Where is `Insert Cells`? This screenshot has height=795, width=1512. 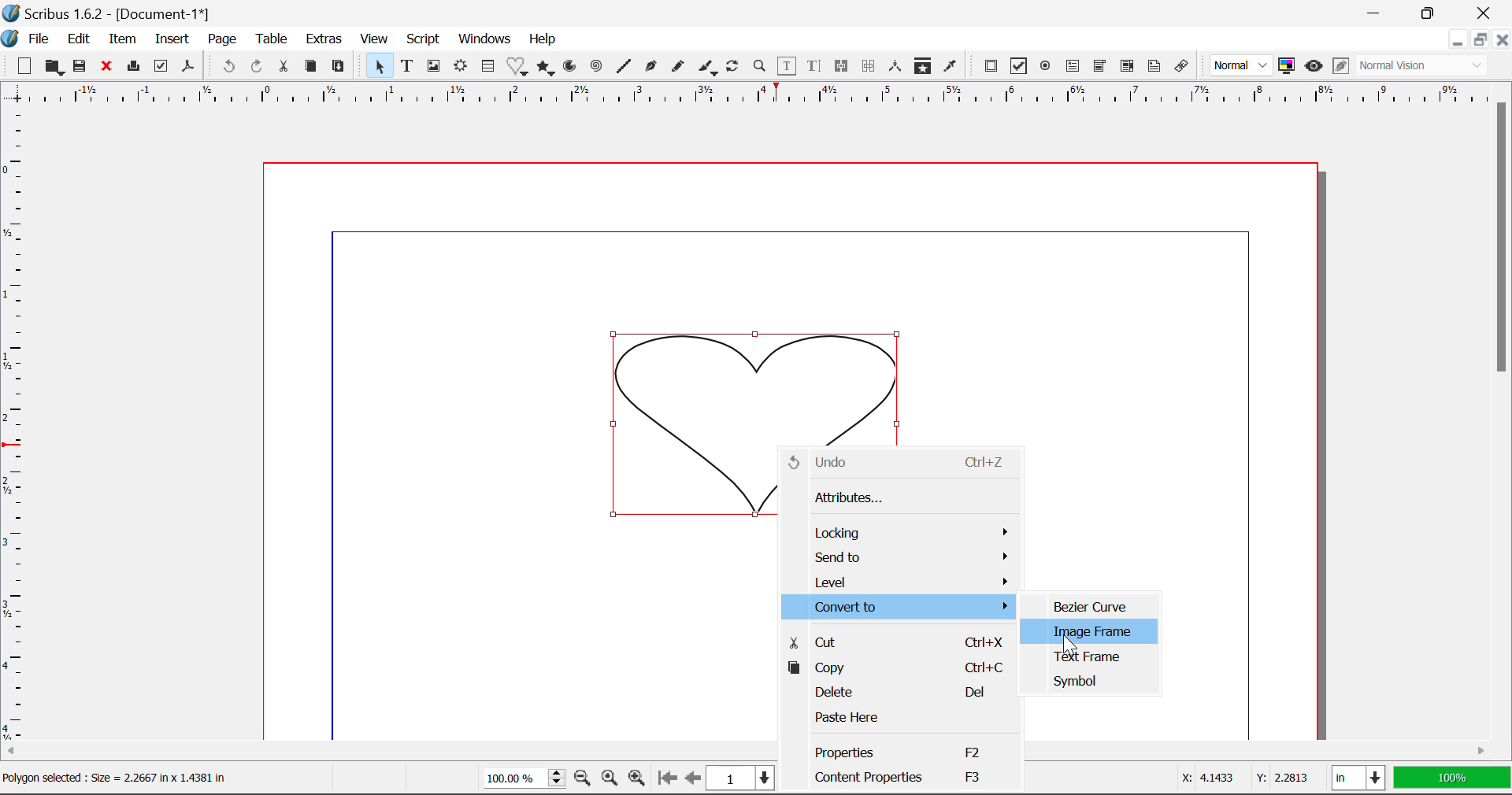 Insert Cells is located at coordinates (487, 68).